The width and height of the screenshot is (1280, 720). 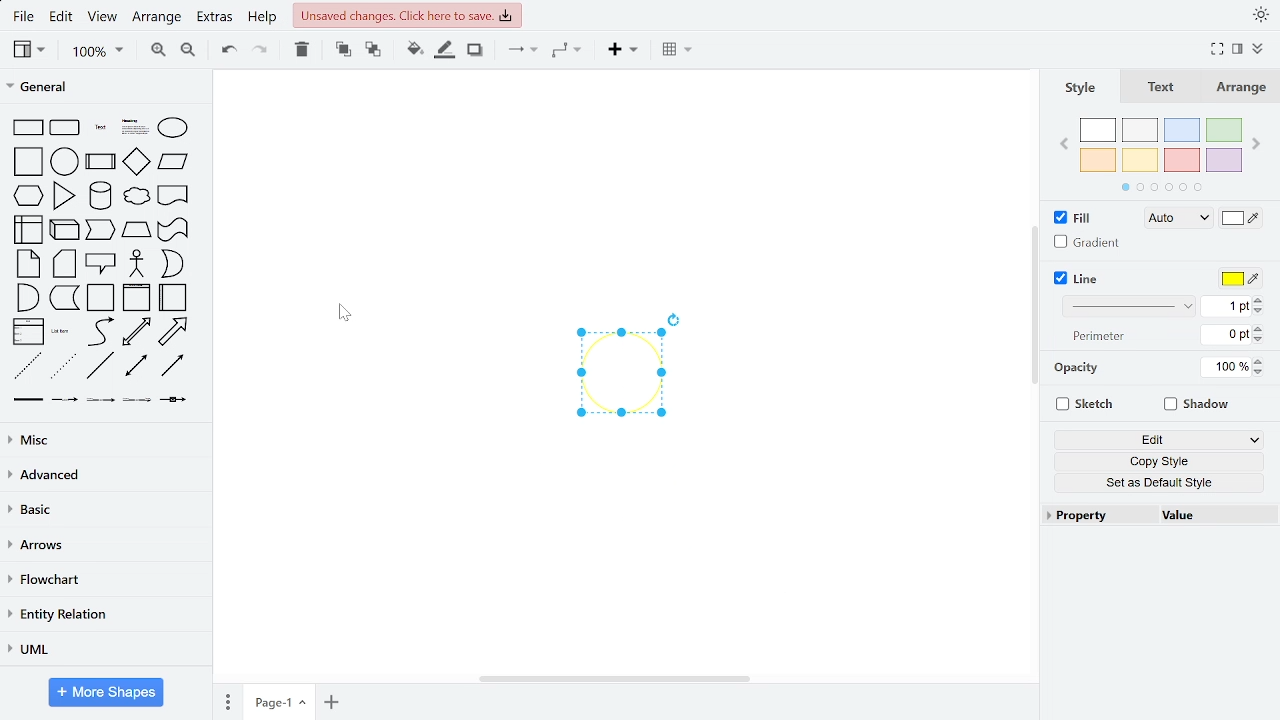 What do you see at coordinates (1240, 218) in the screenshot?
I see `fill color` at bounding box center [1240, 218].